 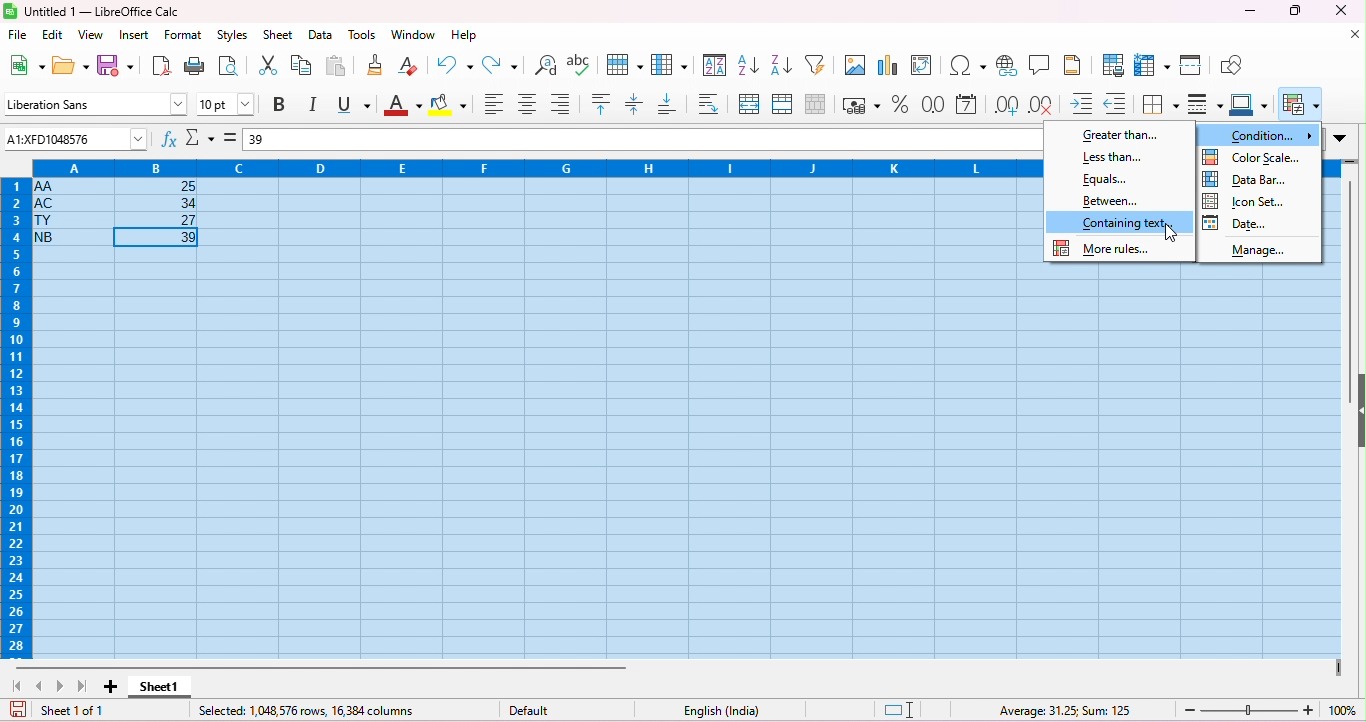 I want to click on insert comment, so click(x=1042, y=64).